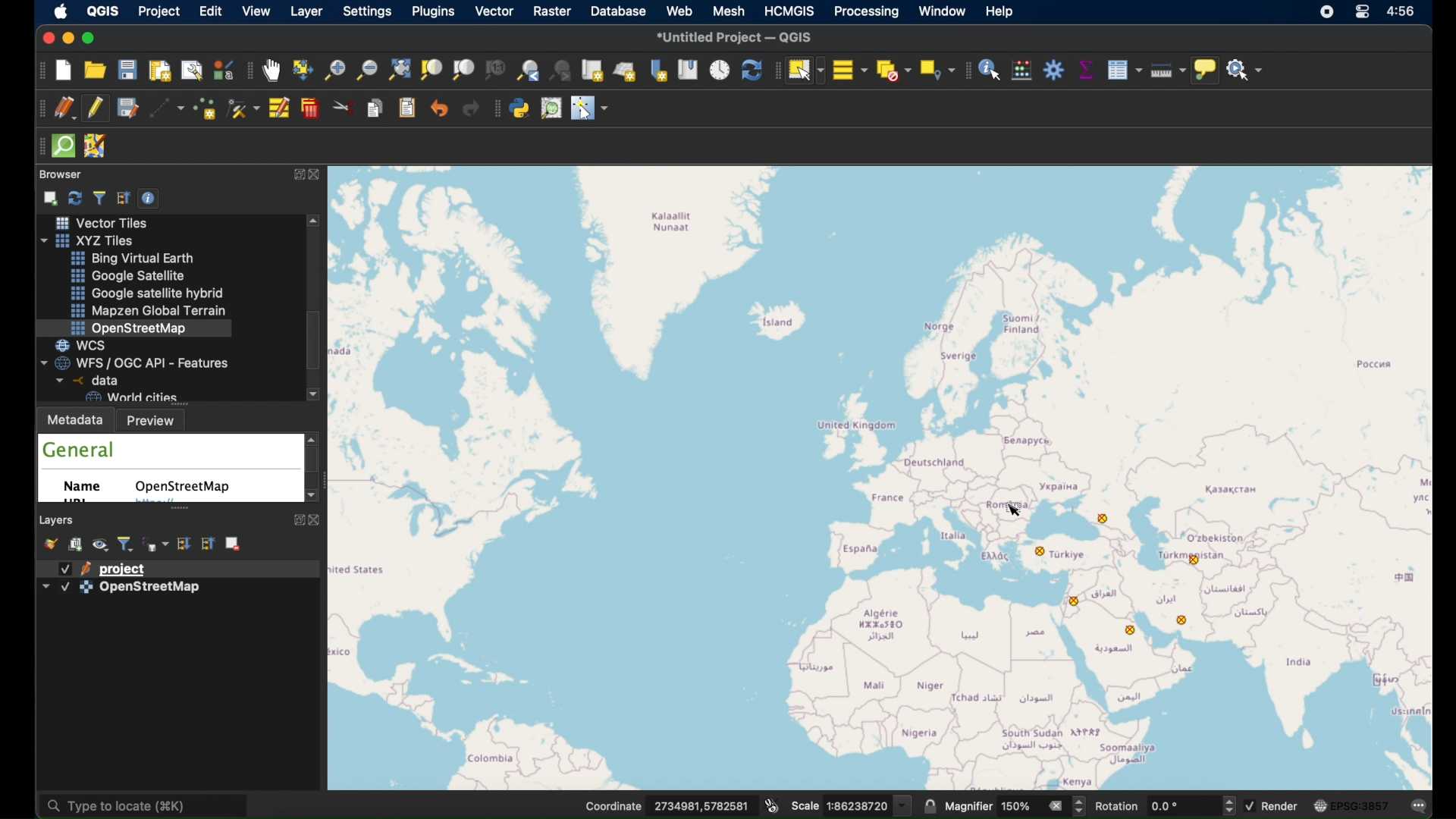  What do you see at coordinates (58, 519) in the screenshot?
I see `layers` at bounding box center [58, 519].